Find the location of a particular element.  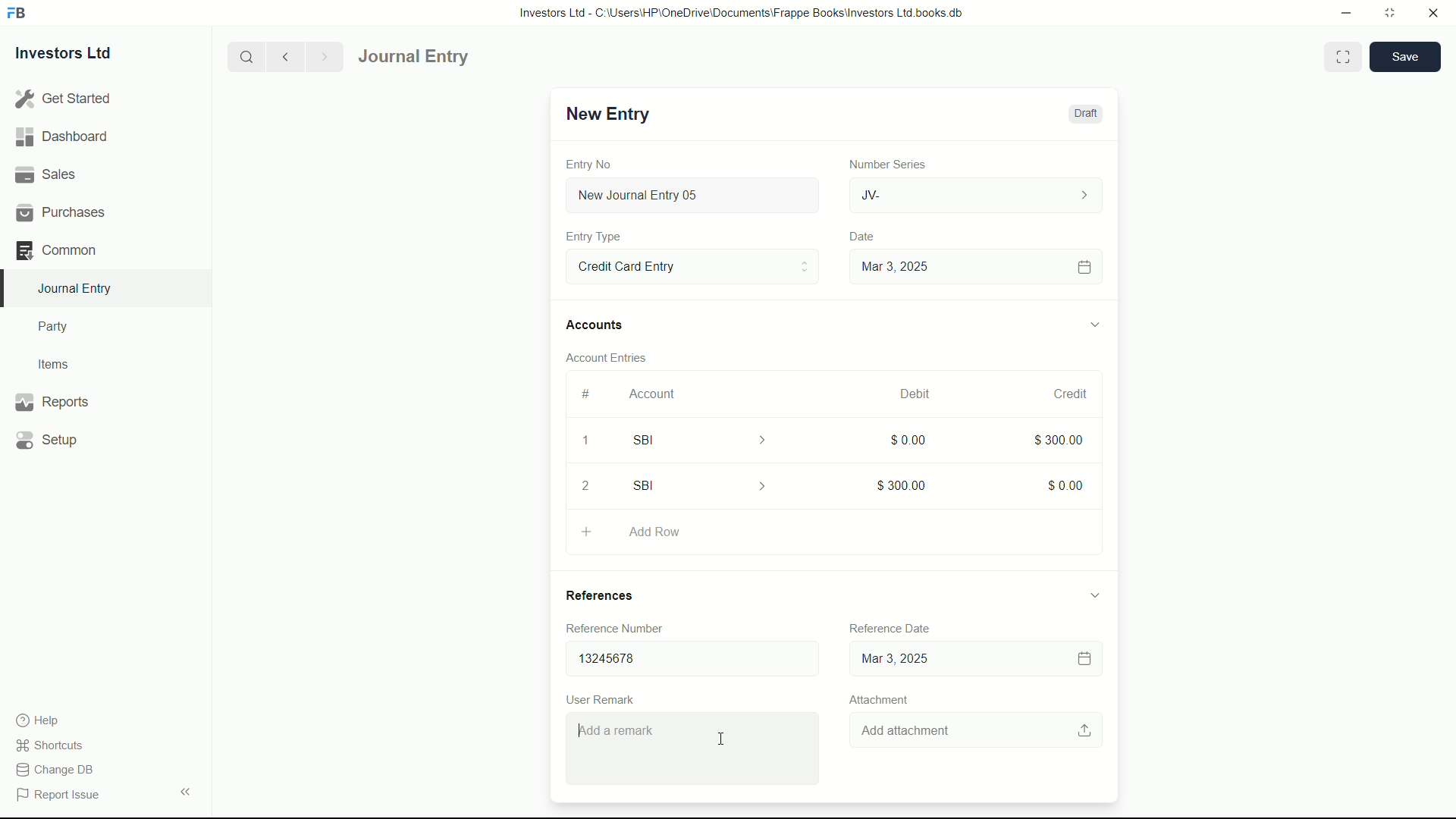

New Entry is located at coordinates (605, 114).